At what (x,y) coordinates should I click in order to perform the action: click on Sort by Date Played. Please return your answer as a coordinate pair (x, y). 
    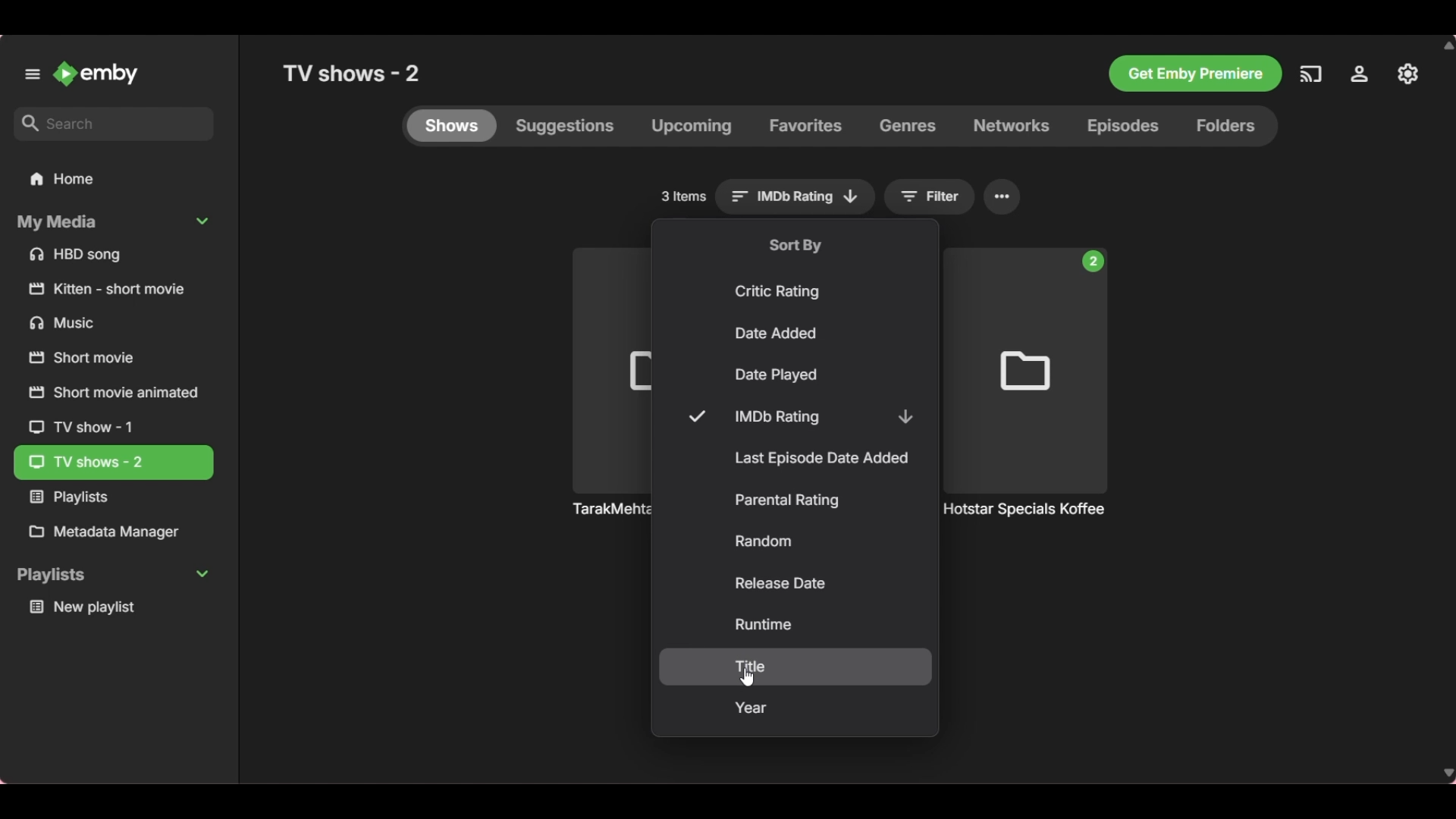
    Looking at the image, I should click on (795, 375).